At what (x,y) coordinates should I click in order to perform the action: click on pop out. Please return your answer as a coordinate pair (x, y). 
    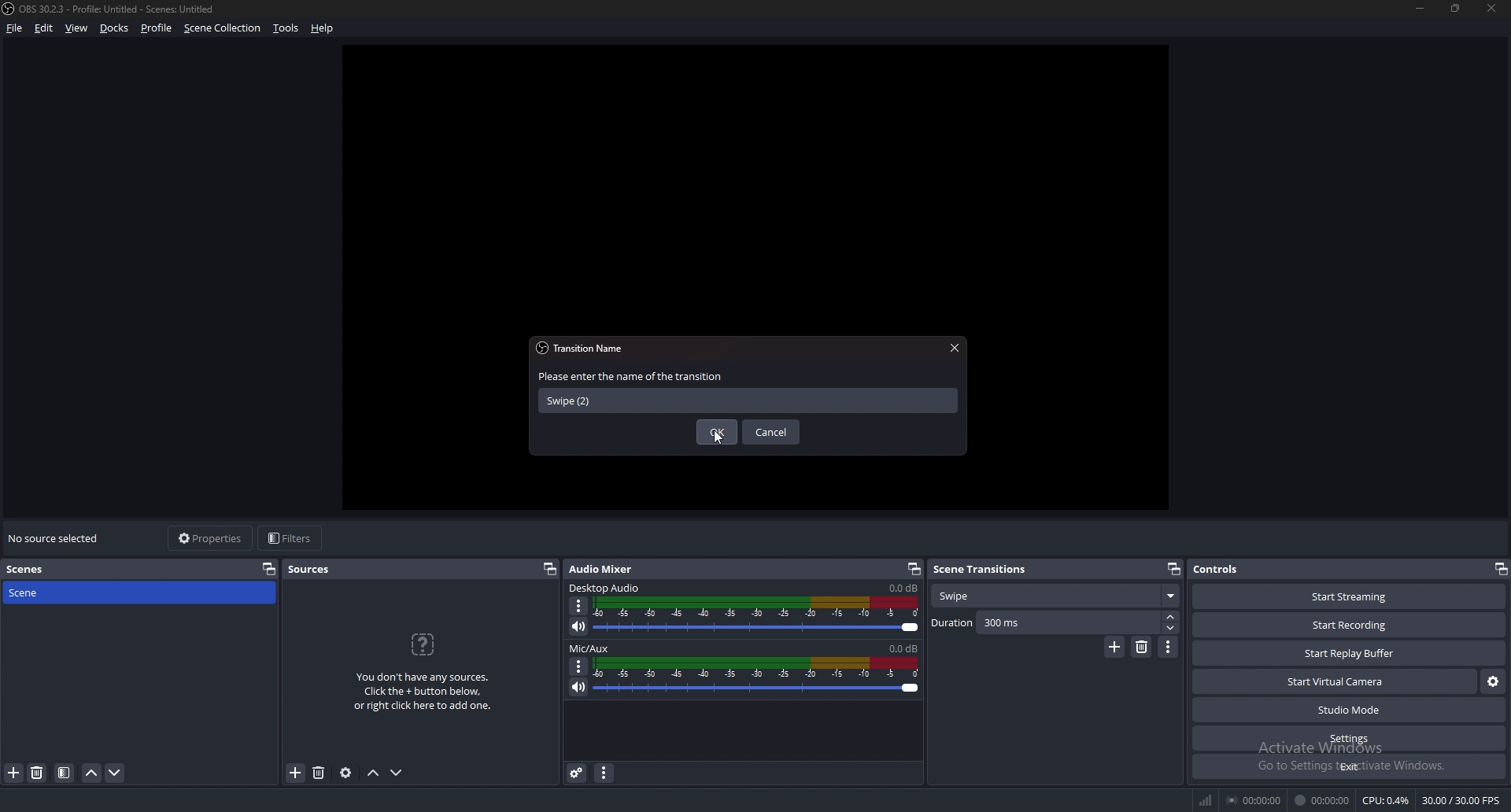
    Looking at the image, I should click on (269, 569).